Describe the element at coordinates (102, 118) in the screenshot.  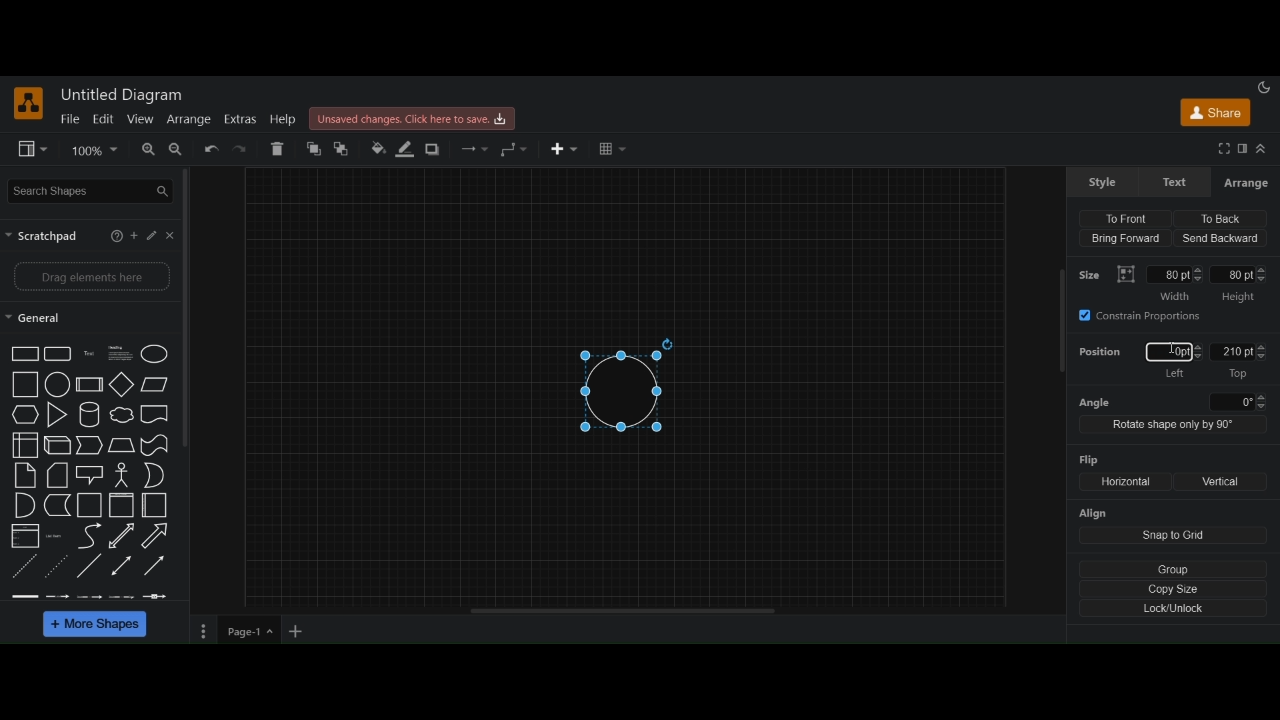
I see `edit` at that location.